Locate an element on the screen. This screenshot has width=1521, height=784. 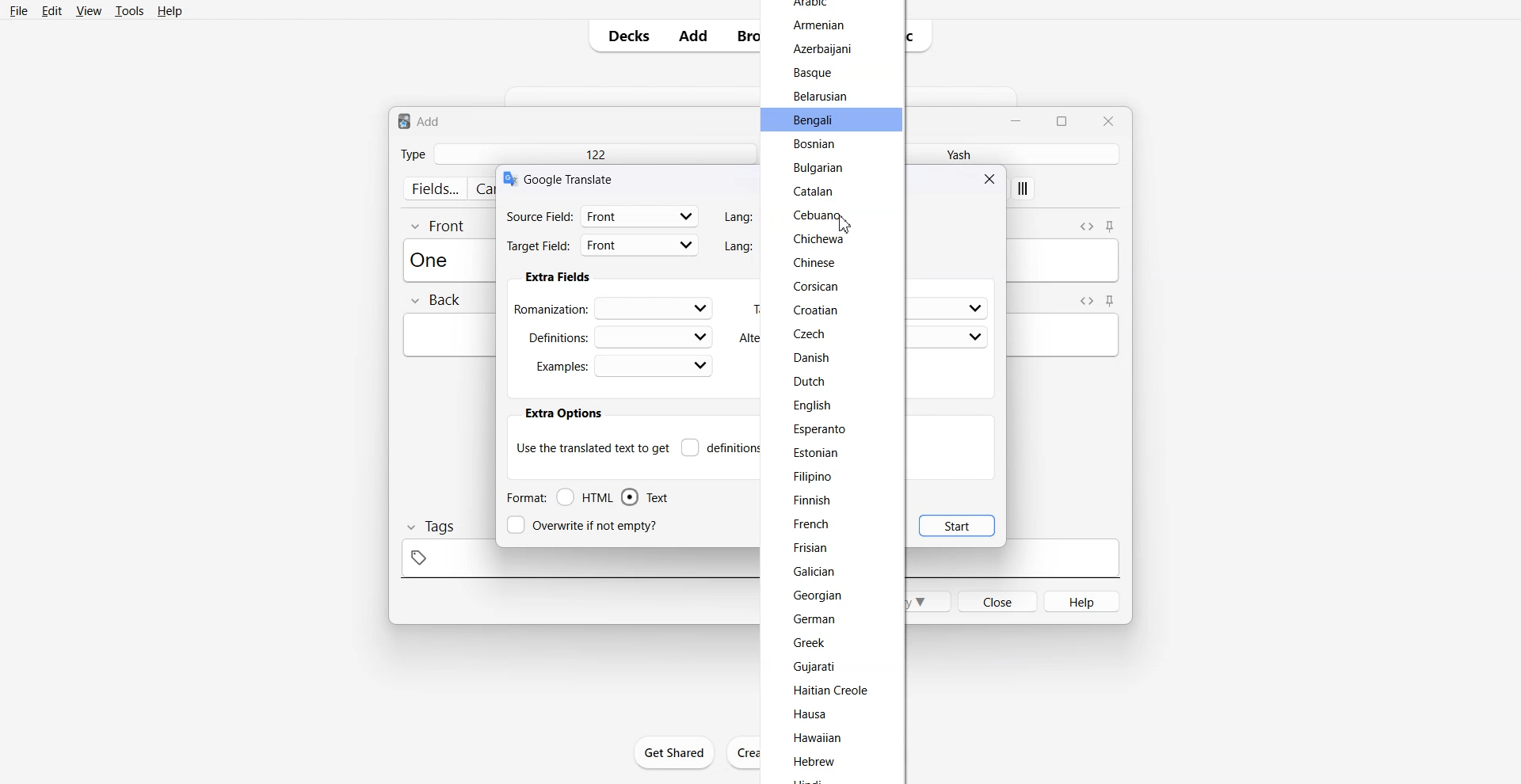
Chinese is located at coordinates (818, 265).